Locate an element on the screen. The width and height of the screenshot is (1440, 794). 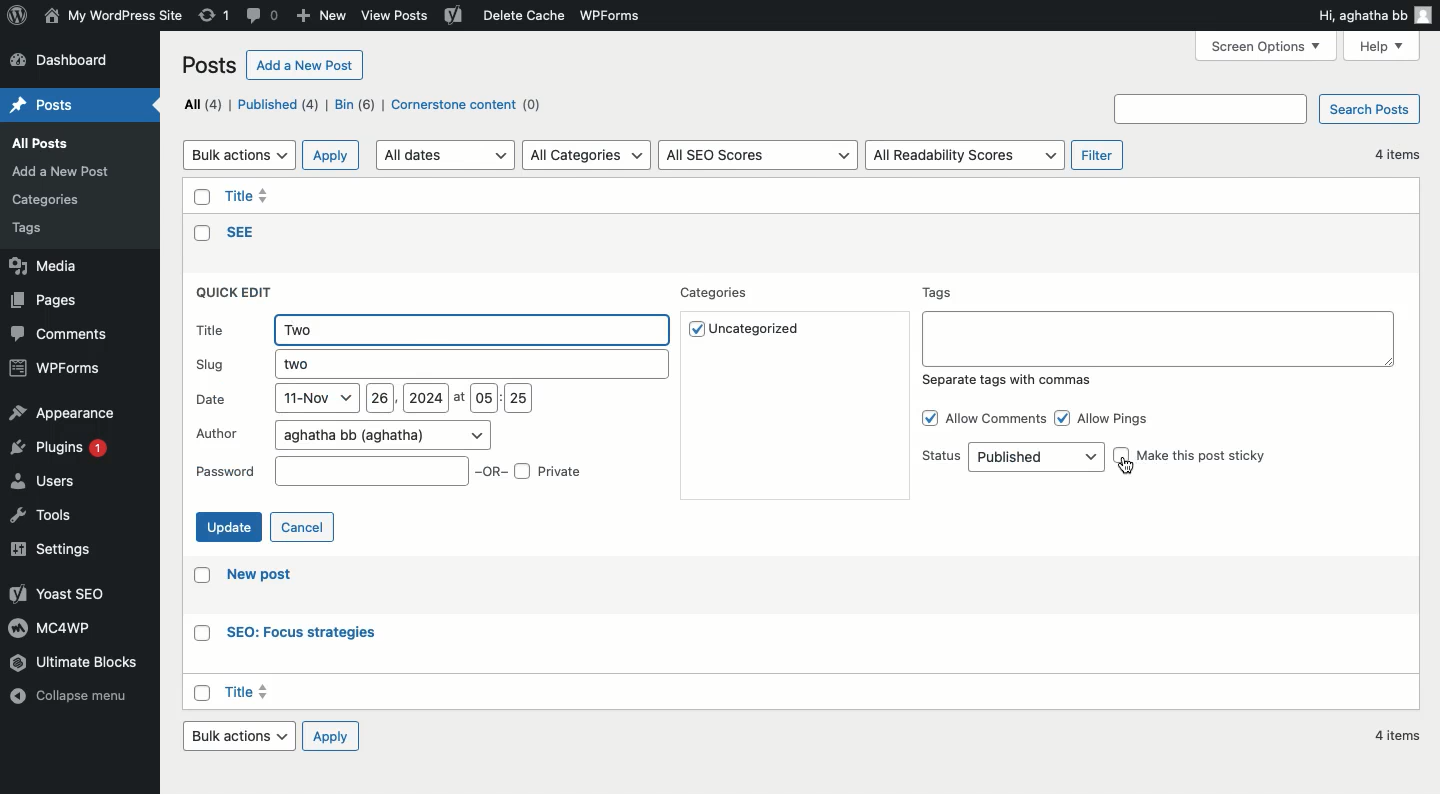
checkbox is located at coordinates (197, 634).